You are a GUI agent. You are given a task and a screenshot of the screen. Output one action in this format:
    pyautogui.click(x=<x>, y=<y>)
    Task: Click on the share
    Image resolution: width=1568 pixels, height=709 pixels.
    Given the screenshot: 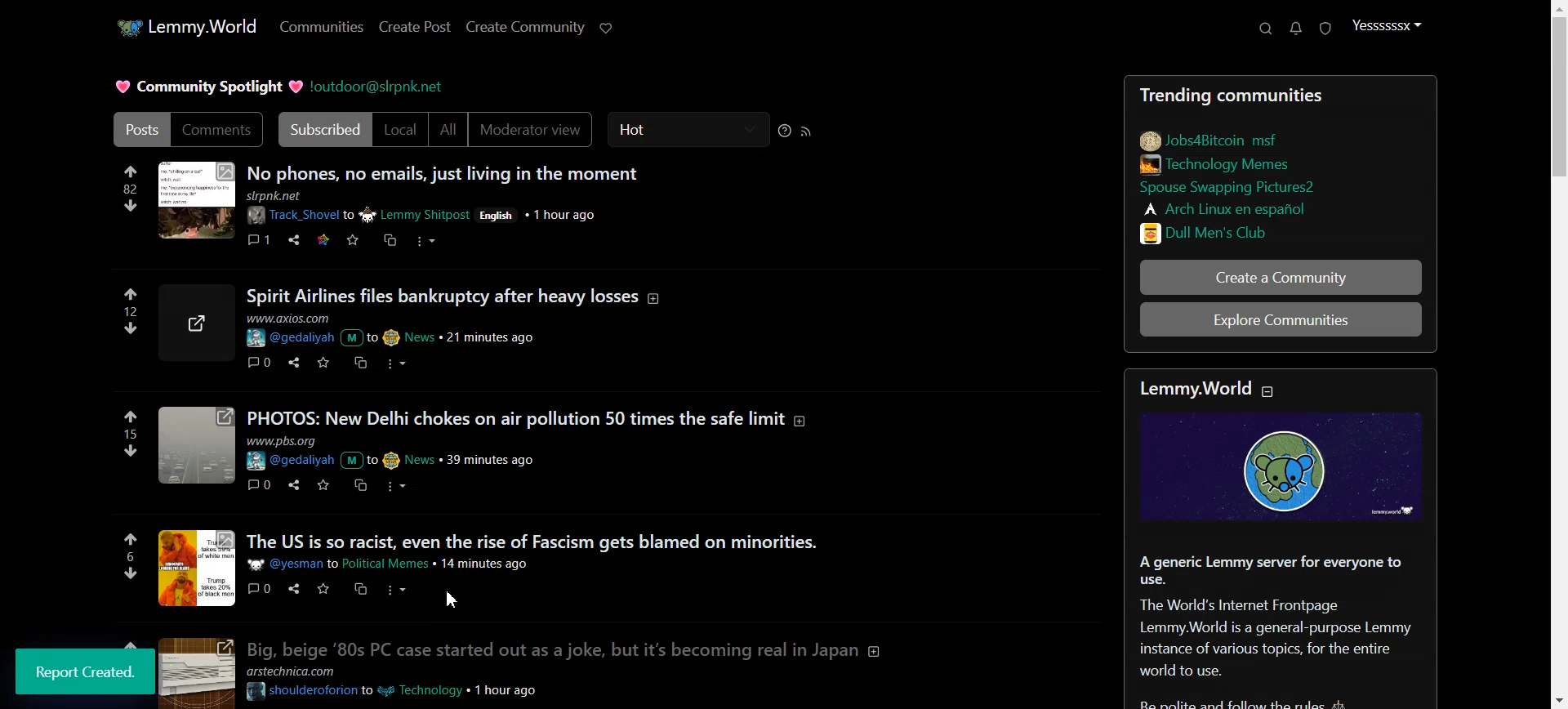 What is the action you would take?
    pyautogui.click(x=292, y=484)
    